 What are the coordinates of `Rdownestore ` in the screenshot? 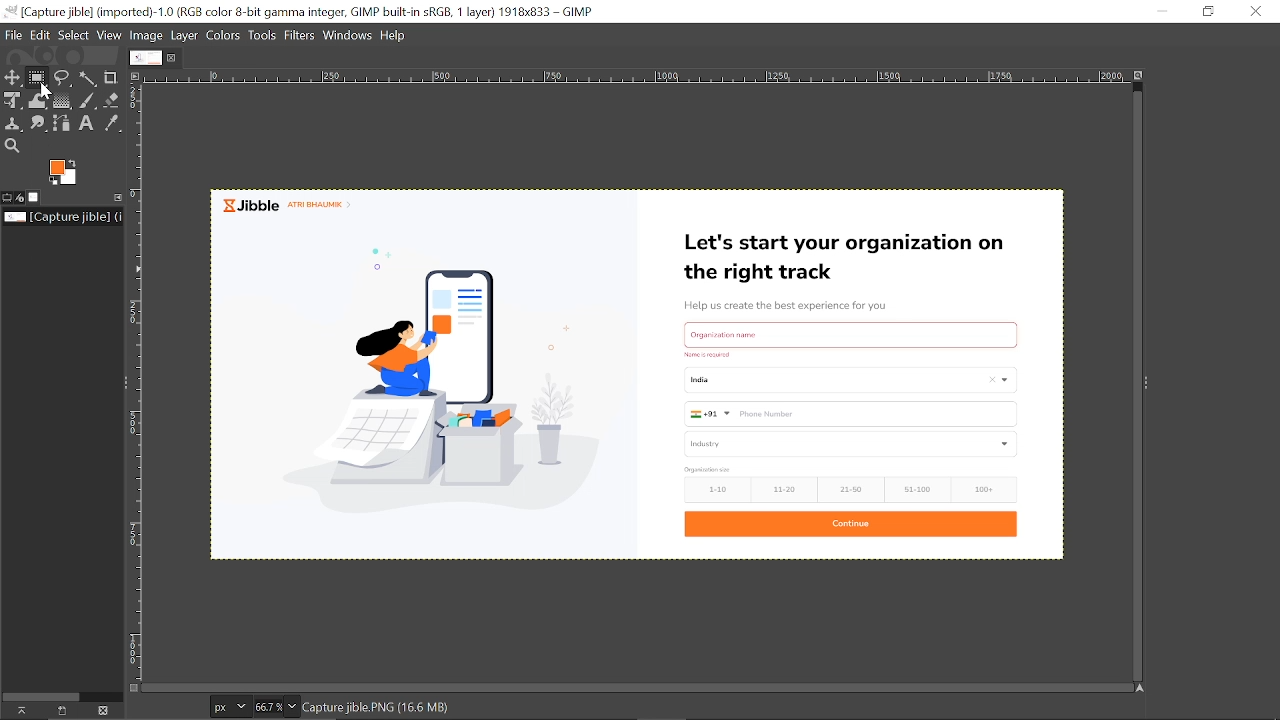 It's located at (1210, 11).